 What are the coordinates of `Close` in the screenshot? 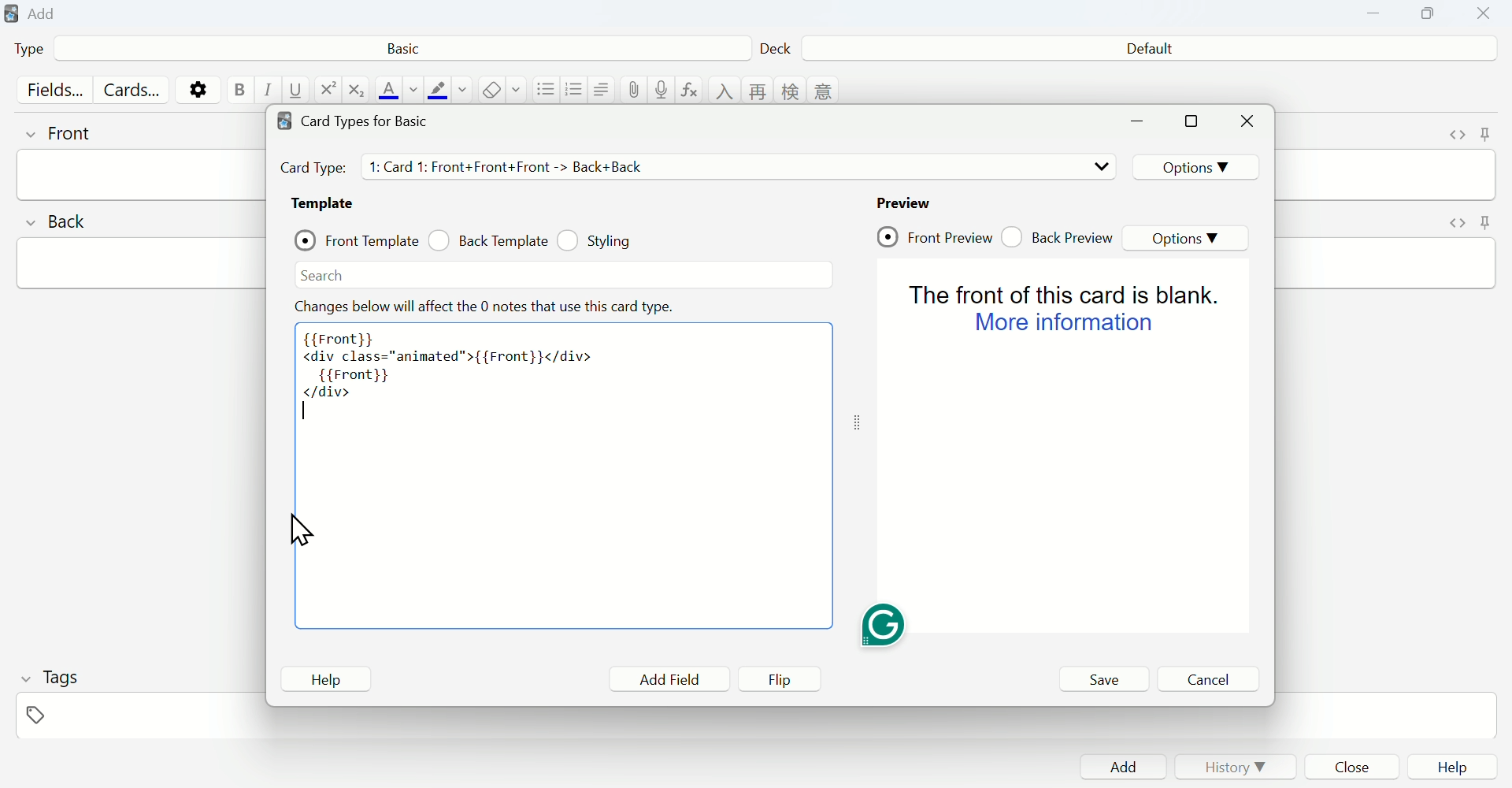 It's located at (1486, 21).